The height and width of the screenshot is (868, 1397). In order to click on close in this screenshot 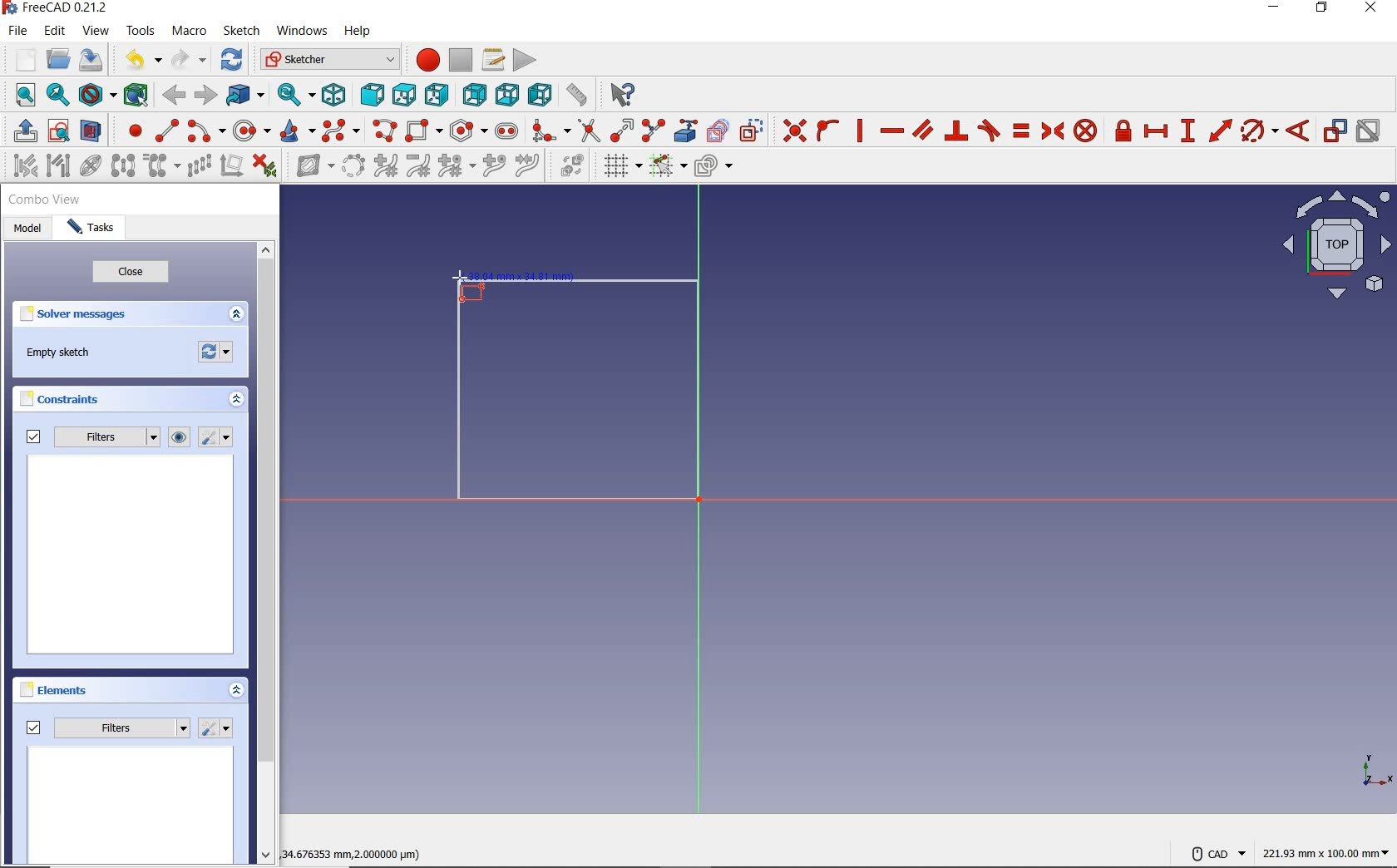, I will do `click(1375, 10)`.